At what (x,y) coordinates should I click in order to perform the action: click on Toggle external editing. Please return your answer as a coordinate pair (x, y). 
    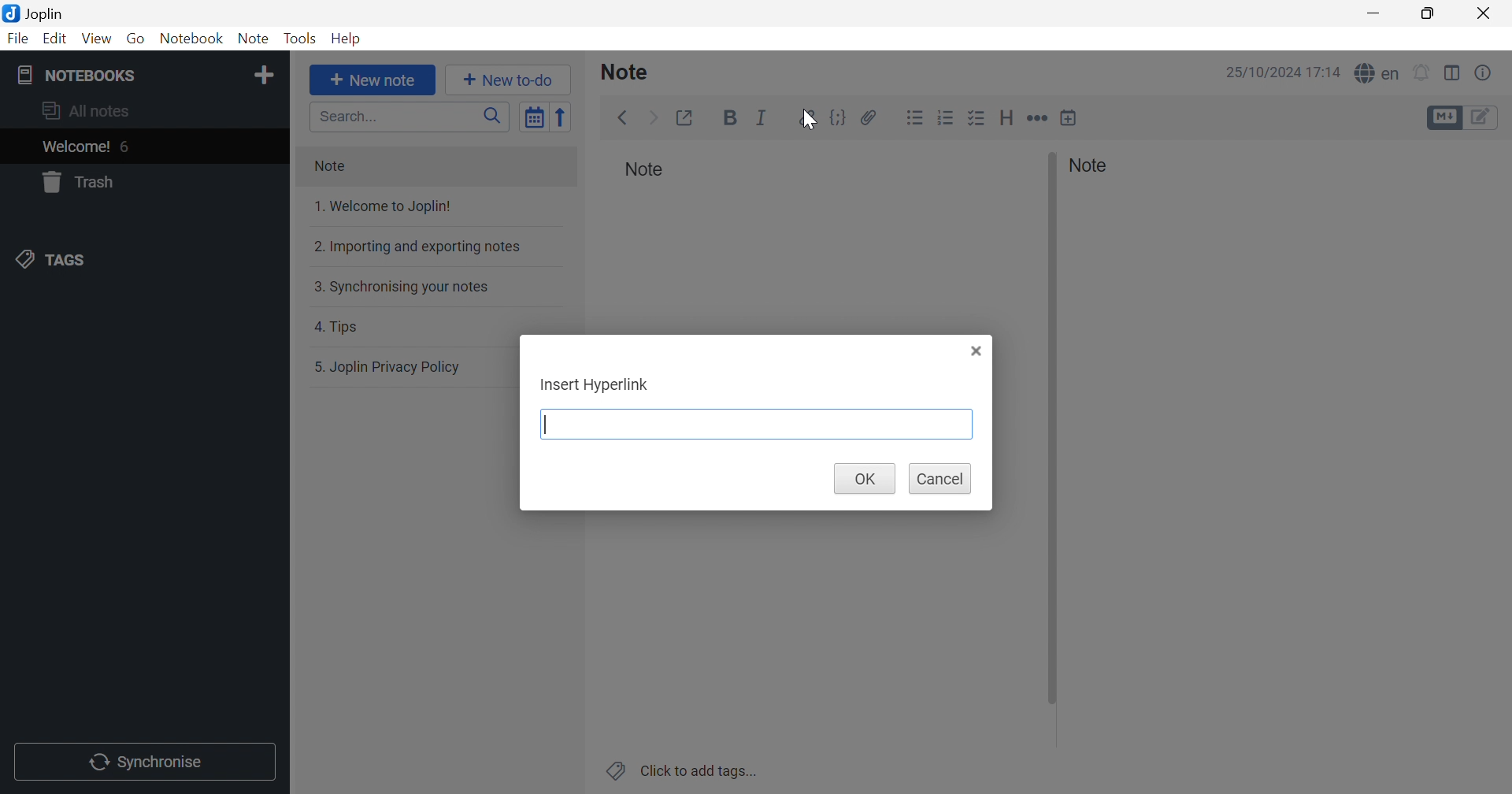
    Looking at the image, I should click on (688, 117).